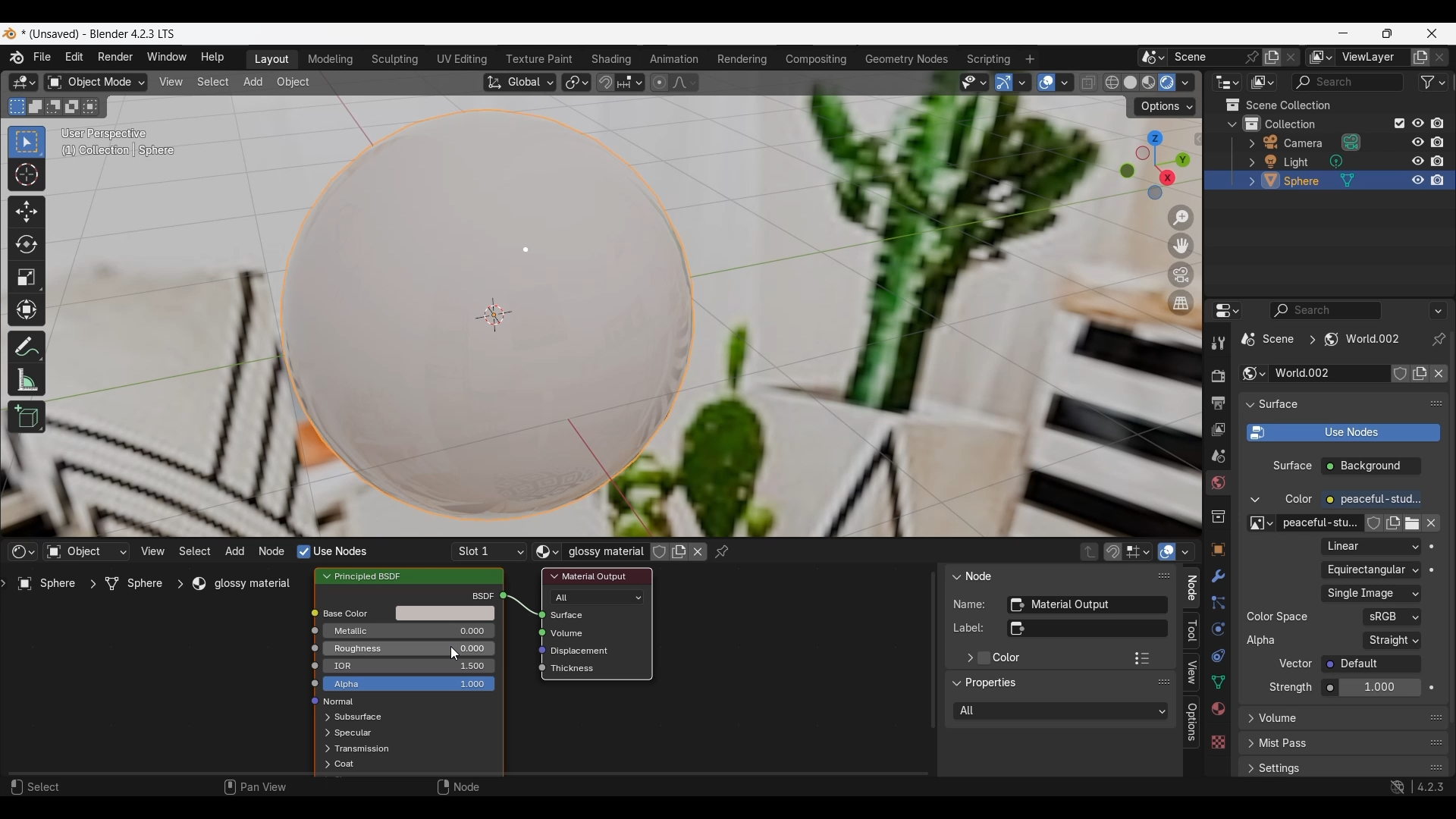 Image resolution: width=1456 pixels, height=819 pixels. I want to click on Surface, so click(579, 615).